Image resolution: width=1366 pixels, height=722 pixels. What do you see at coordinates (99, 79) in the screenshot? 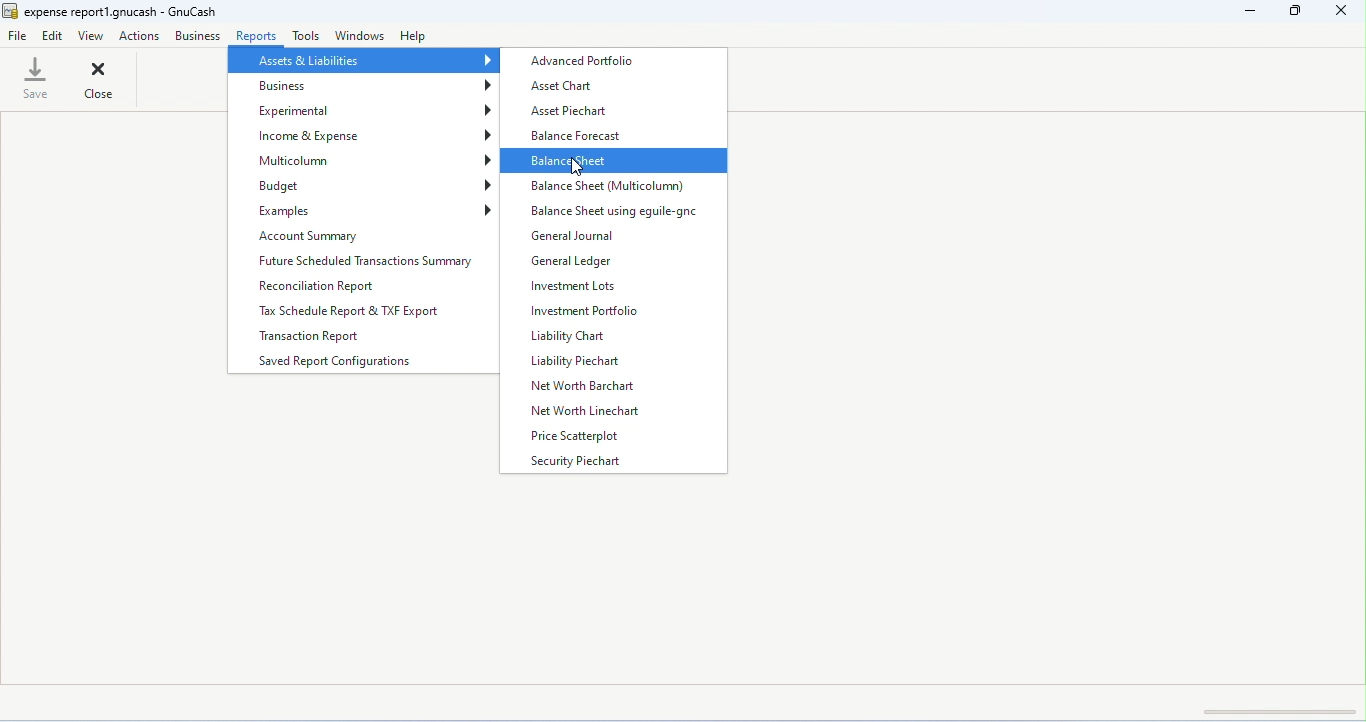
I see `close` at bounding box center [99, 79].